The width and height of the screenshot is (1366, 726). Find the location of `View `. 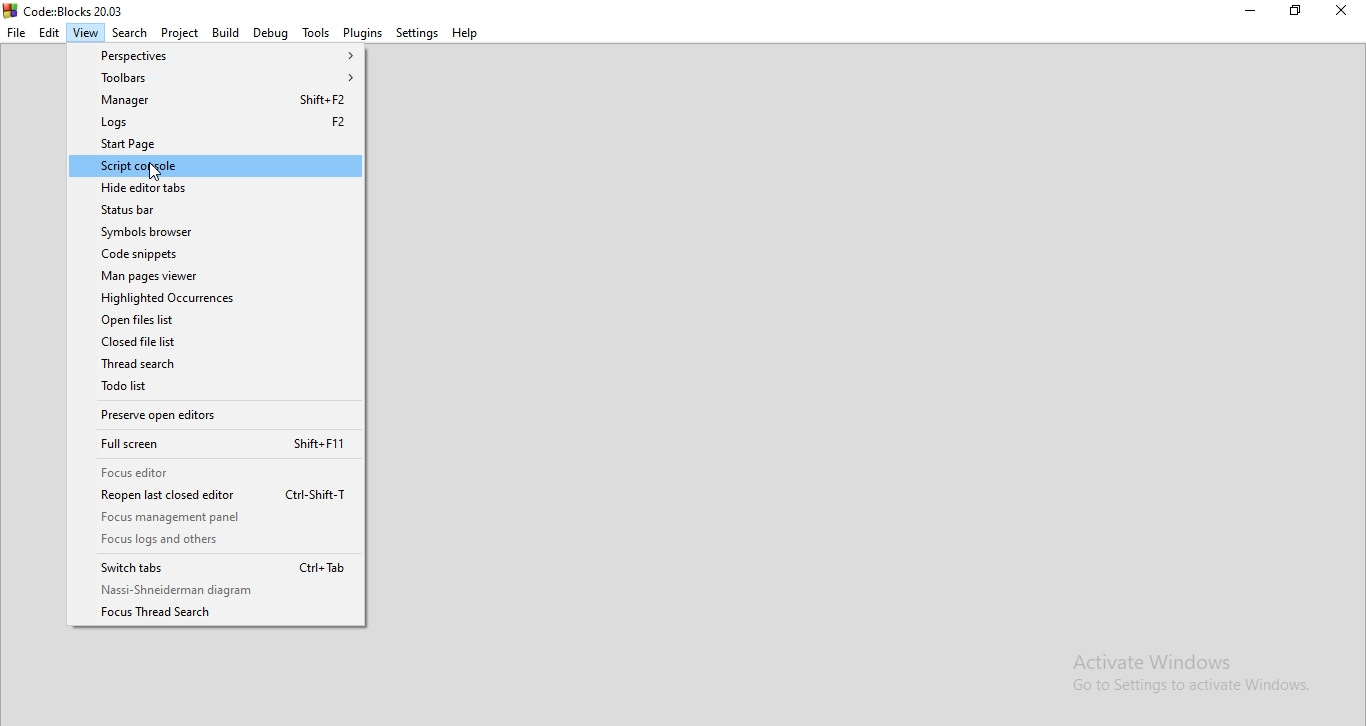

View  is located at coordinates (86, 33).